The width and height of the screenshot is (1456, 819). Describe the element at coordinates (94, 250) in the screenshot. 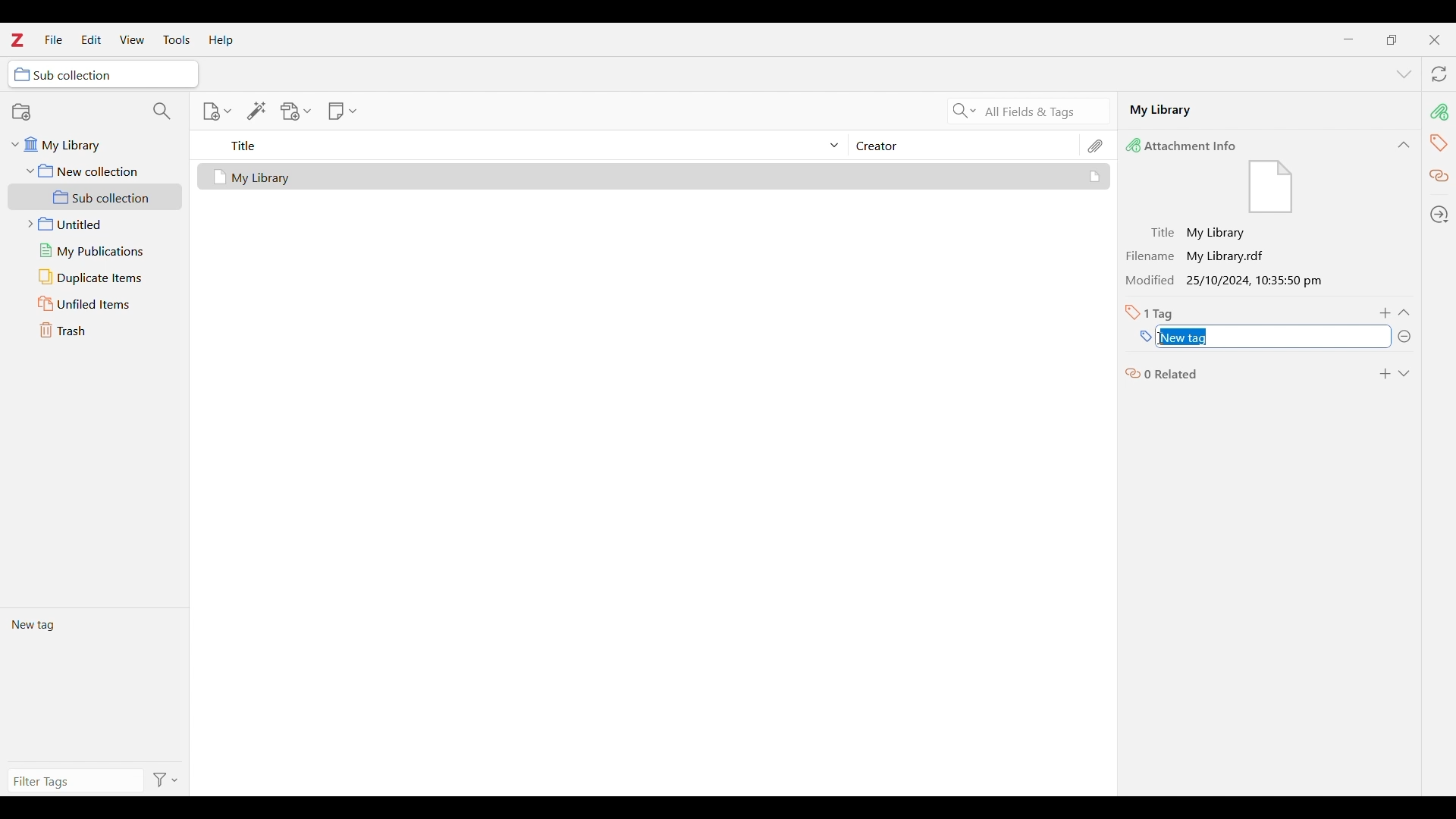

I see `My publications folder` at that location.